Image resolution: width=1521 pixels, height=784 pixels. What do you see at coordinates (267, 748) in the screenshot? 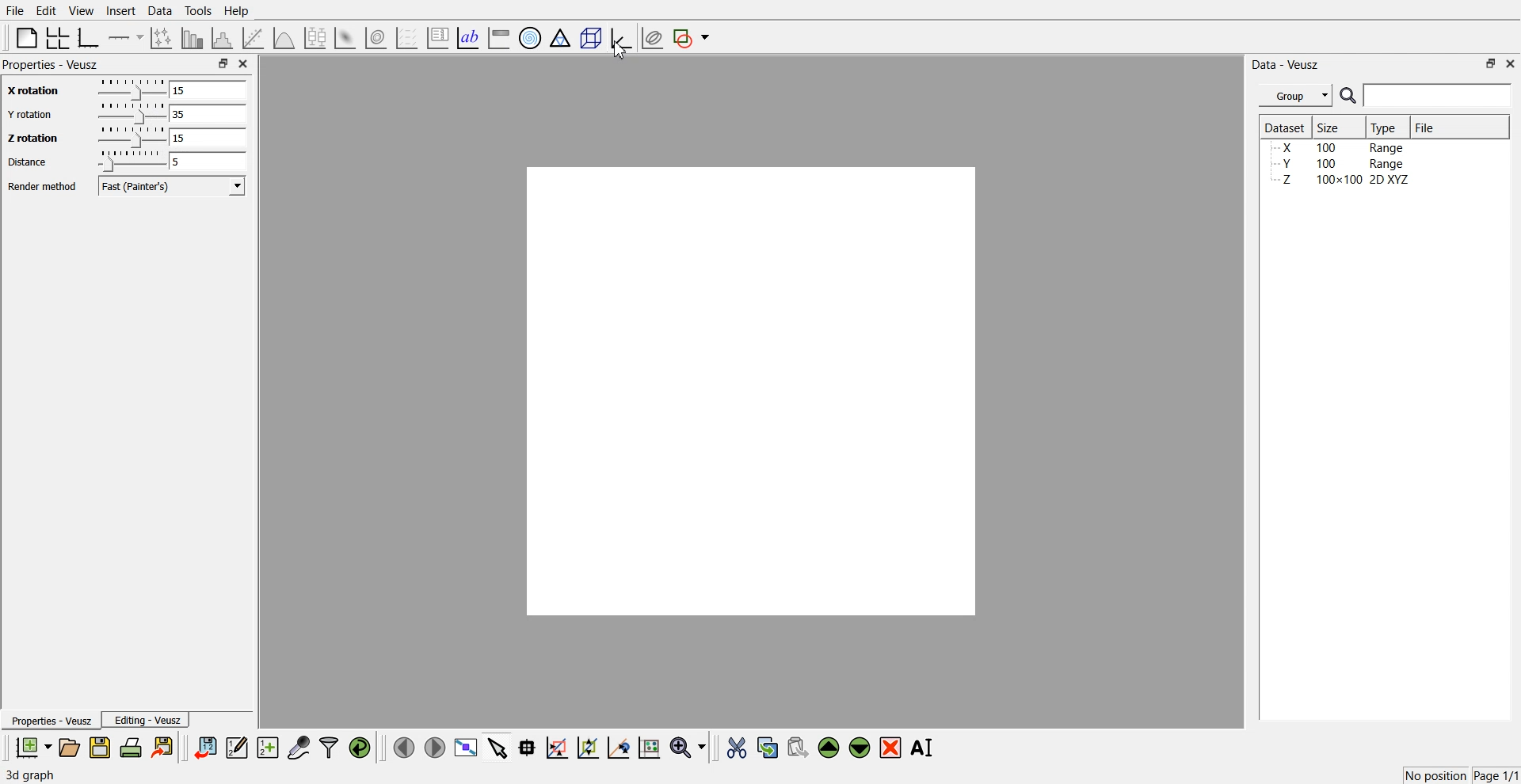
I see `Create new dataset for ranging` at bounding box center [267, 748].